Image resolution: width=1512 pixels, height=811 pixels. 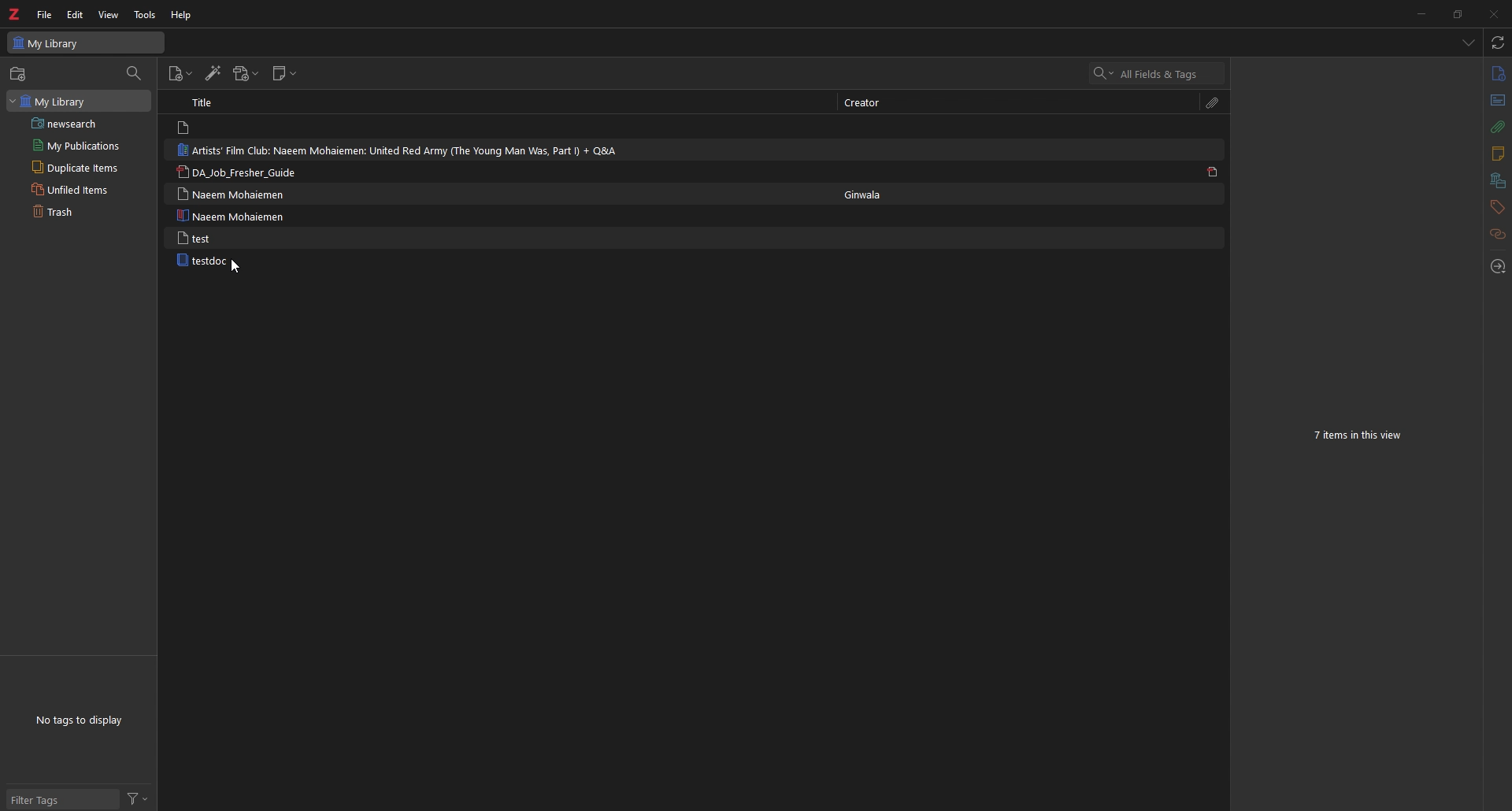 I want to click on DA_Job_Fresher_Guide, so click(x=244, y=173).